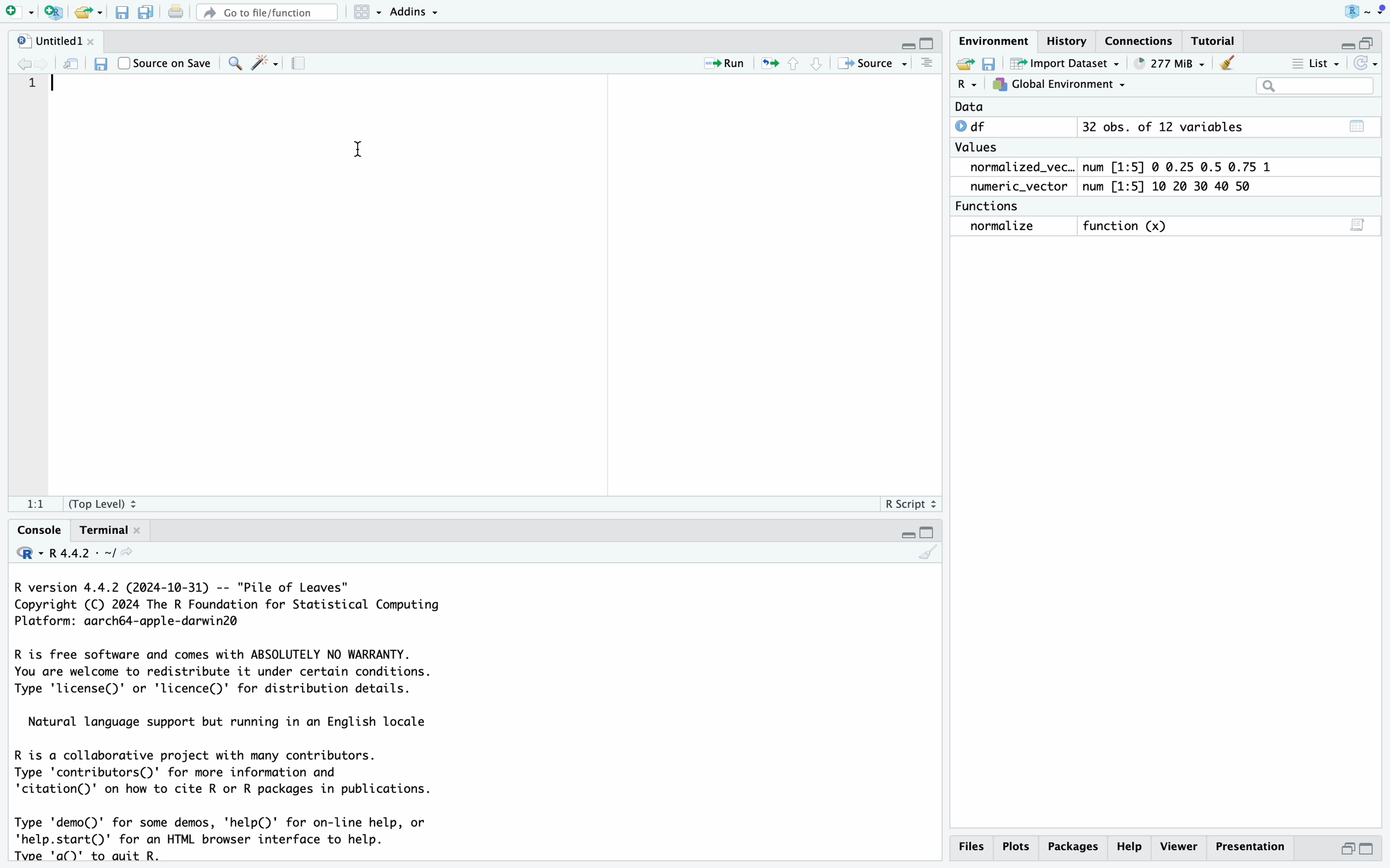 The height and width of the screenshot is (868, 1390). Describe the element at coordinates (238, 718) in the screenshot. I see `R version 4.4.2 (2024-10-31) -- "Pile of Leaves"

Copyright (C) 2024 The R Foundation for Statistical Computing

Platform: aarch64-apple-darwin2@

R is free software and comes with ABSOLUTELY NO WARRANTY.

You are welcome to redistribute it under certain conditions.

Type 'license()' or 'licence()' for distribution details.
Natural language support but running in an English locale

R is a collaborative project with many contributors.

Type 'contributors()' for more information and

'citation()' on how to cite R or R packages in publications.

Type 'demo()' for some demos, 'help(D)' for on-line help, or

'help.start()' for an HTML browser interface to help.

Type 'q()' to quit R.

[Workspace loaded from ~/.RData]

> normalize <- function(x) {

+ return((x - min(x)) / (max(x) - min(x)))

+}

>

> numeric_vector <- c(10, 20, 30, 40, 50)

>

> normalized_vector <- normalize(numeric_vector)

>

> print(normalized_vector)

[1] 0.00 0.25 0.50 0.75 1.00

>

> print(normalized_vector)

[1] 0.00 0.25 0.50 0.75 1.00

>

>

>

> print(filtered_mtcars,"cars")

Error: object 'filtered_mtcars' not found

> print(filtered_mtcars)

Error: object 'filtered_mtcars' not found

>

>` at that location.